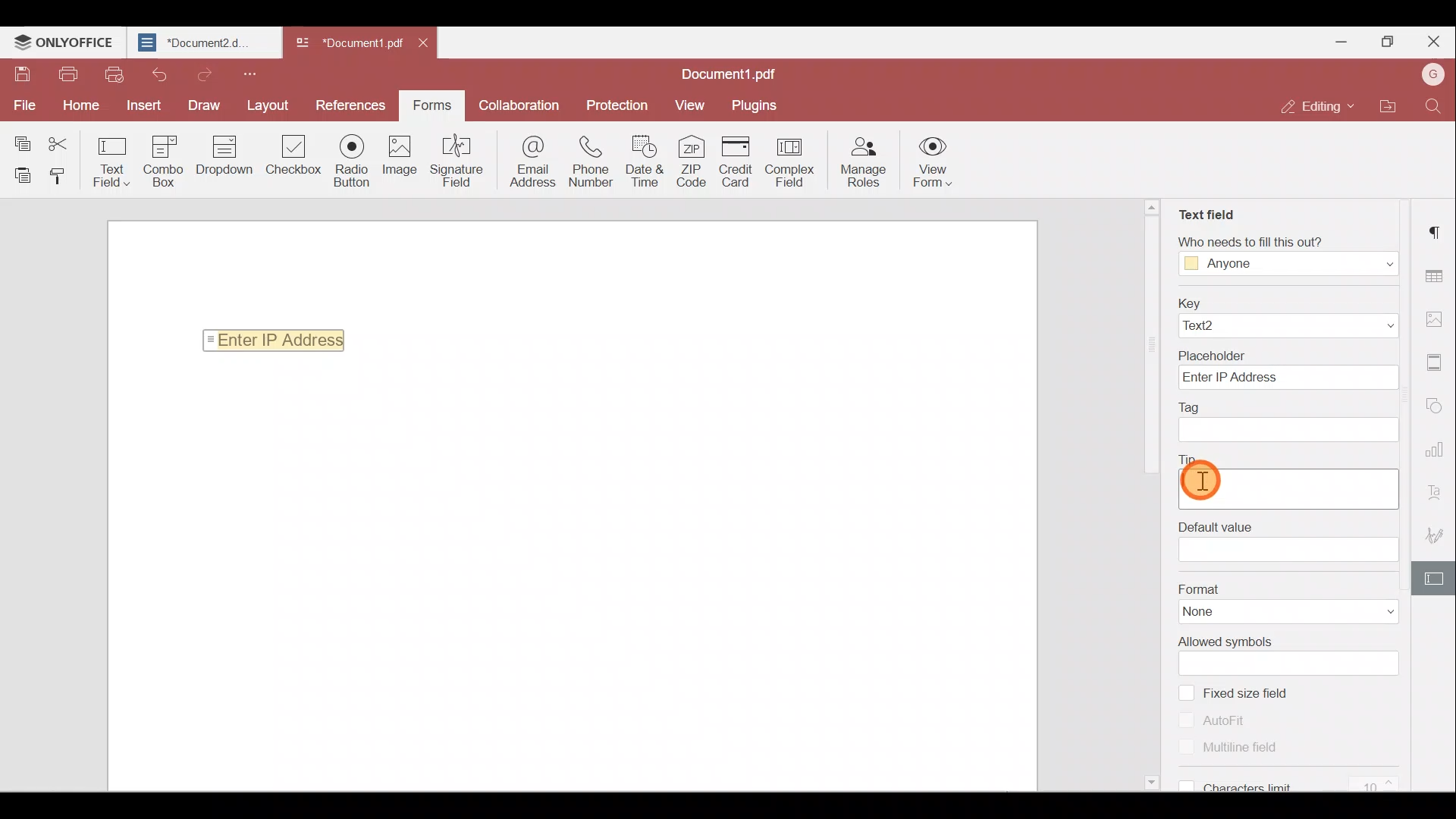  What do you see at coordinates (204, 74) in the screenshot?
I see `Redo` at bounding box center [204, 74].